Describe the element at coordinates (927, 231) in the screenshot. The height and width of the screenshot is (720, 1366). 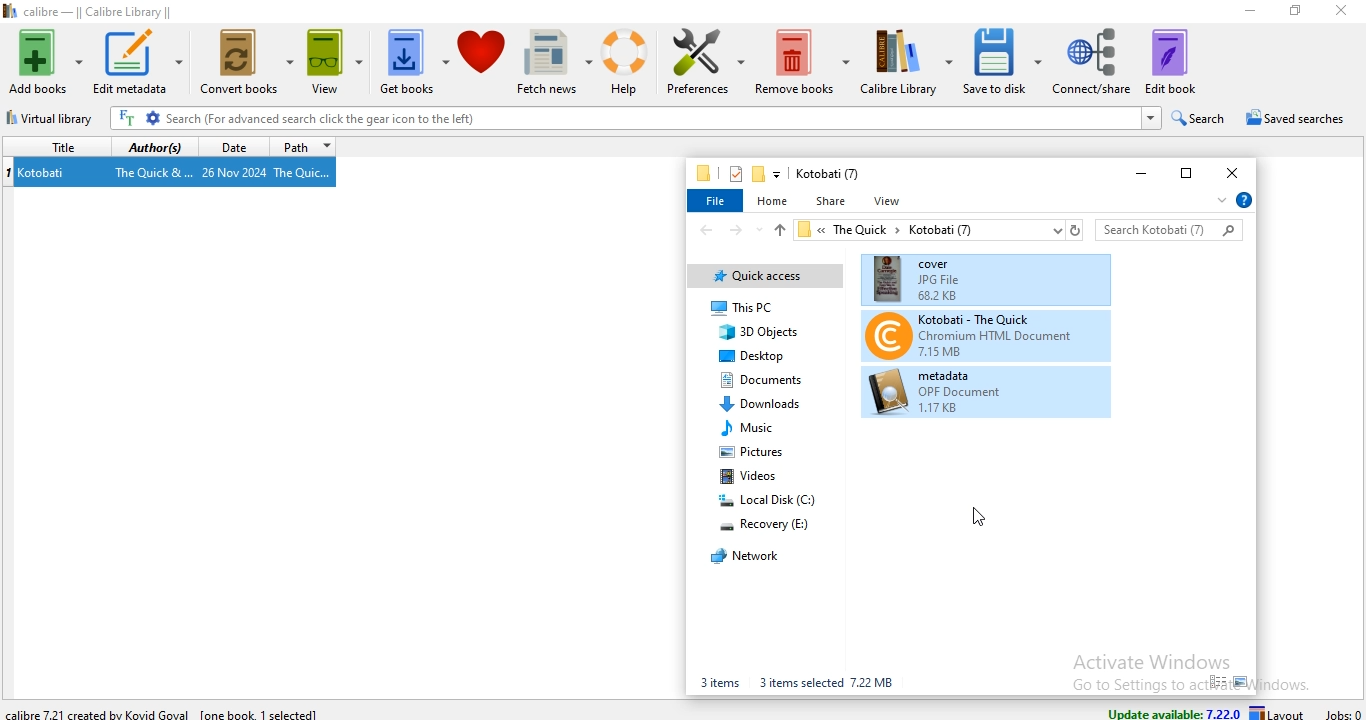
I see `« TheQuick > Kotobati (7)` at that location.